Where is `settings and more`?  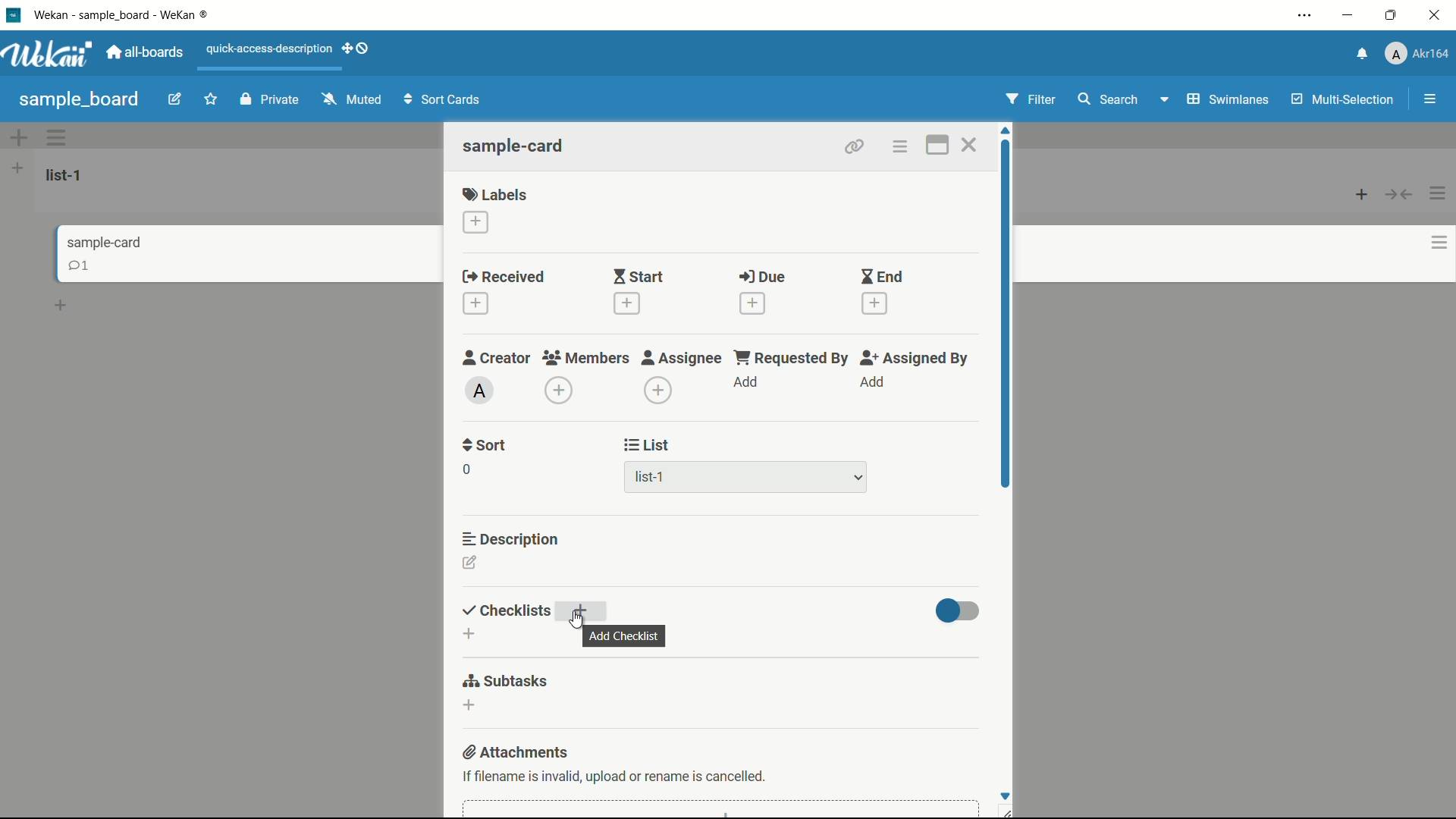
settings and more is located at coordinates (1305, 17).